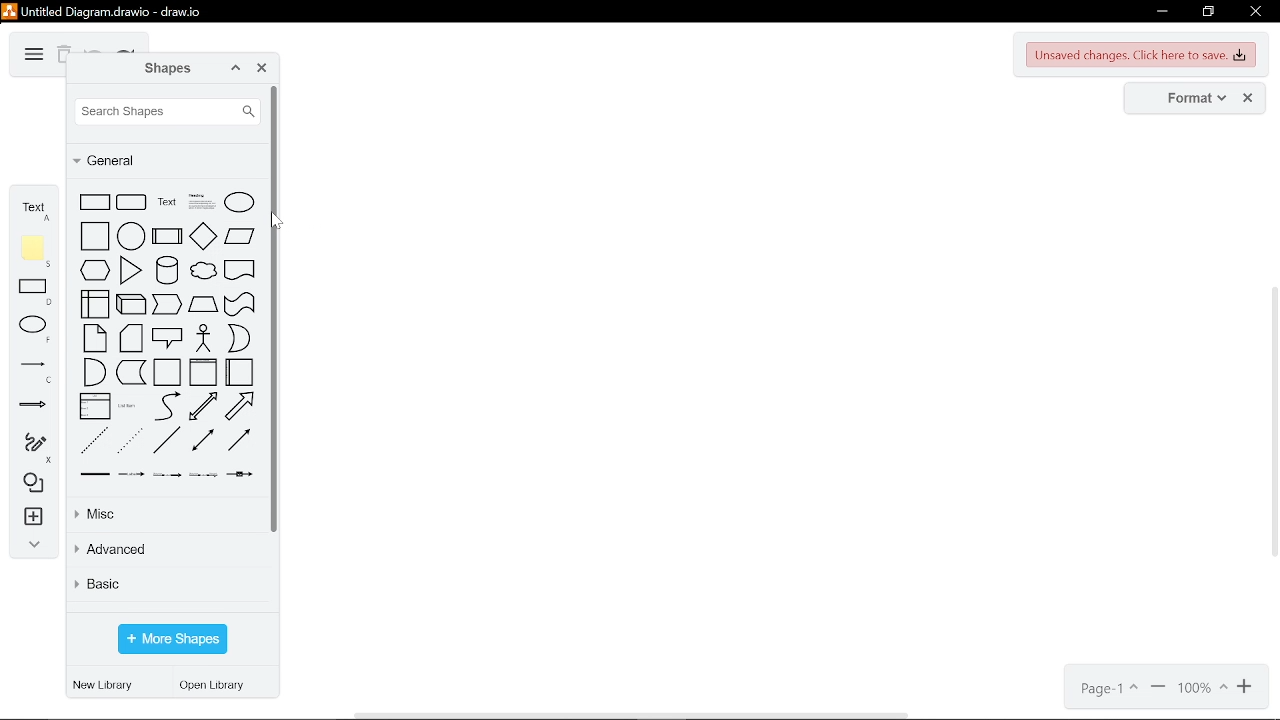 The image size is (1280, 720). What do you see at coordinates (168, 475) in the screenshot?
I see `connector with 2 labels` at bounding box center [168, 475].